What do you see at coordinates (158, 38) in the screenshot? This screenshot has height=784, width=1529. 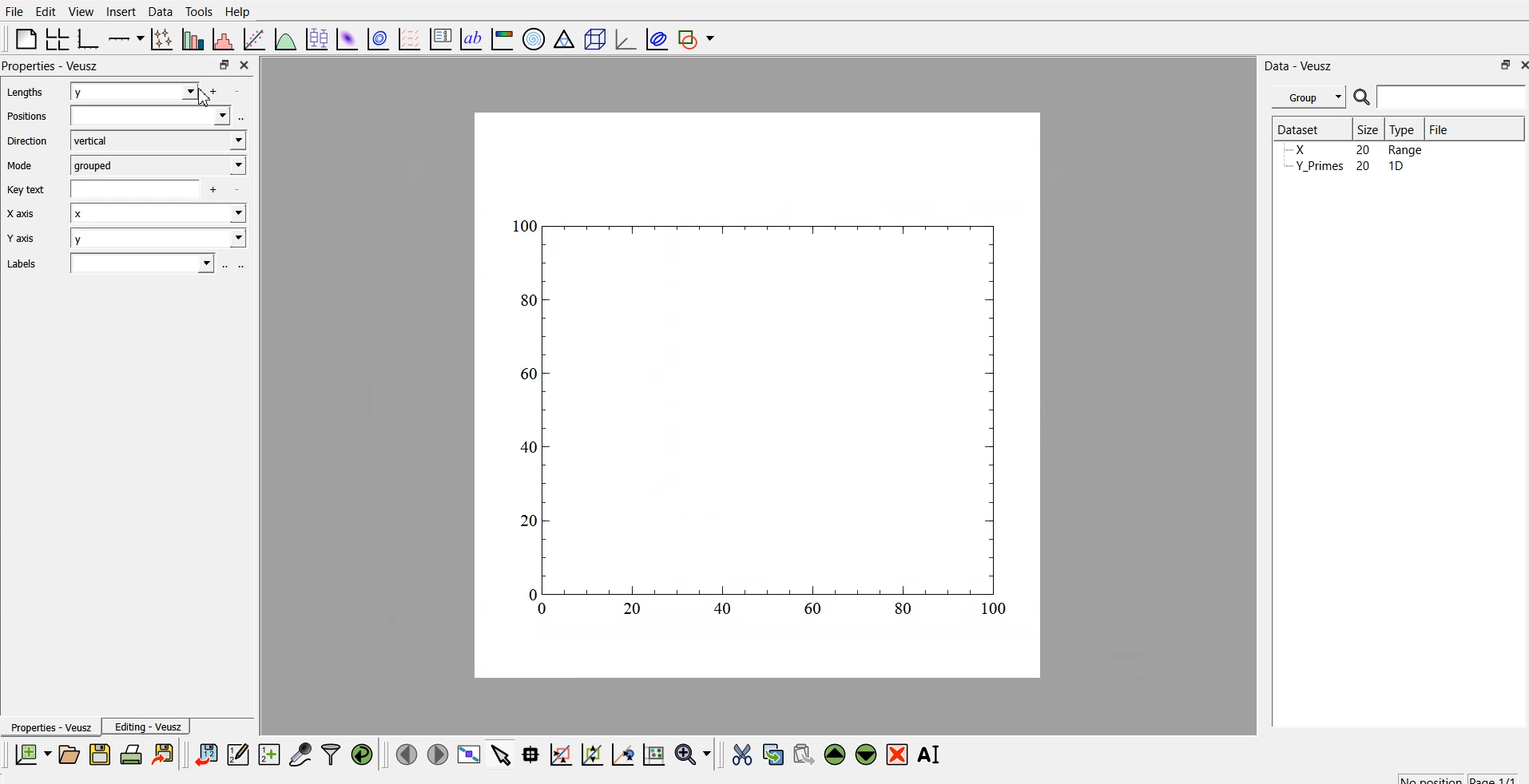 I see `plot points` at bounding box center [158, 38].